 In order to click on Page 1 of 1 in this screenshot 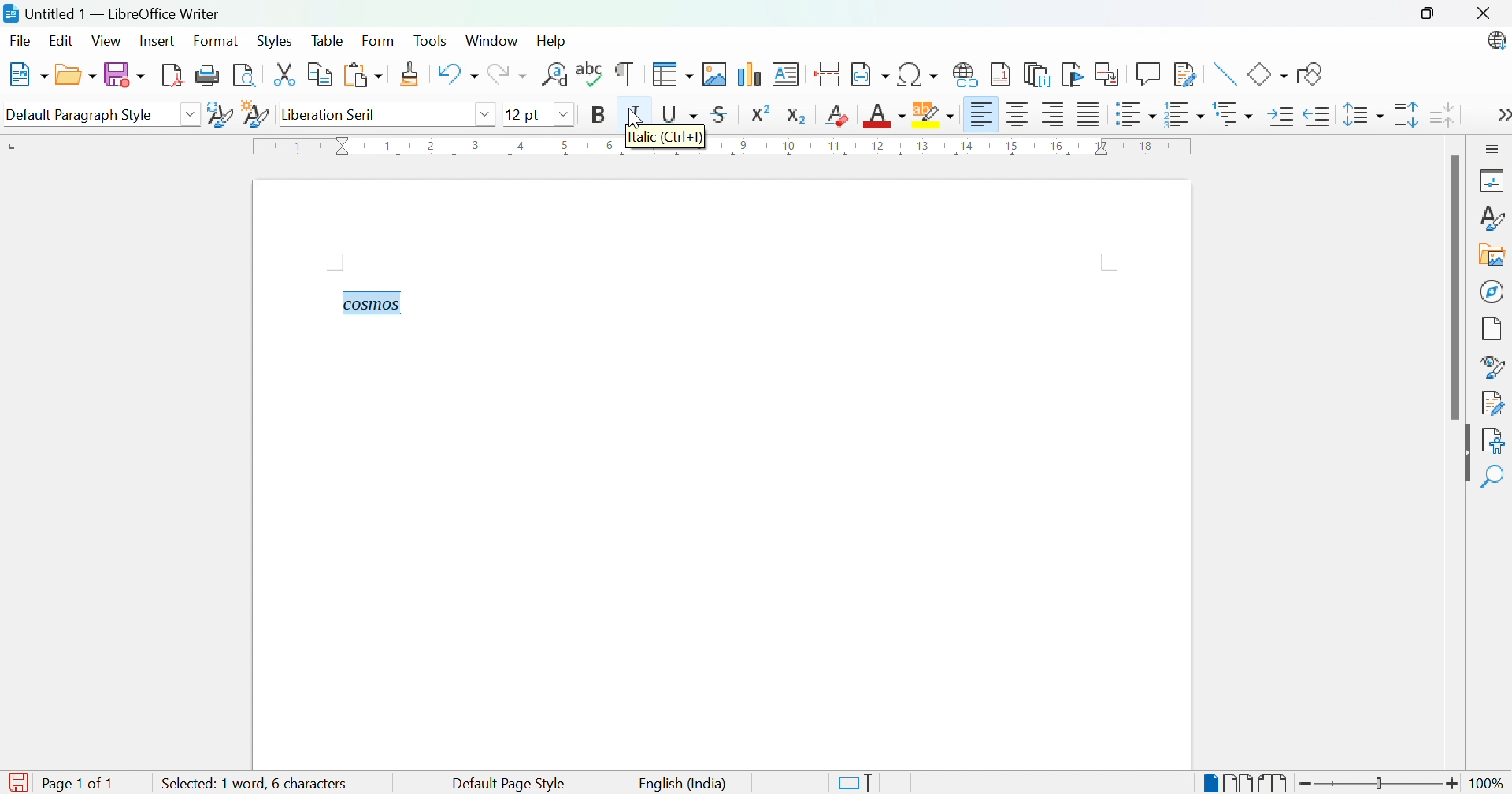, I will do `click(60, 783)`.